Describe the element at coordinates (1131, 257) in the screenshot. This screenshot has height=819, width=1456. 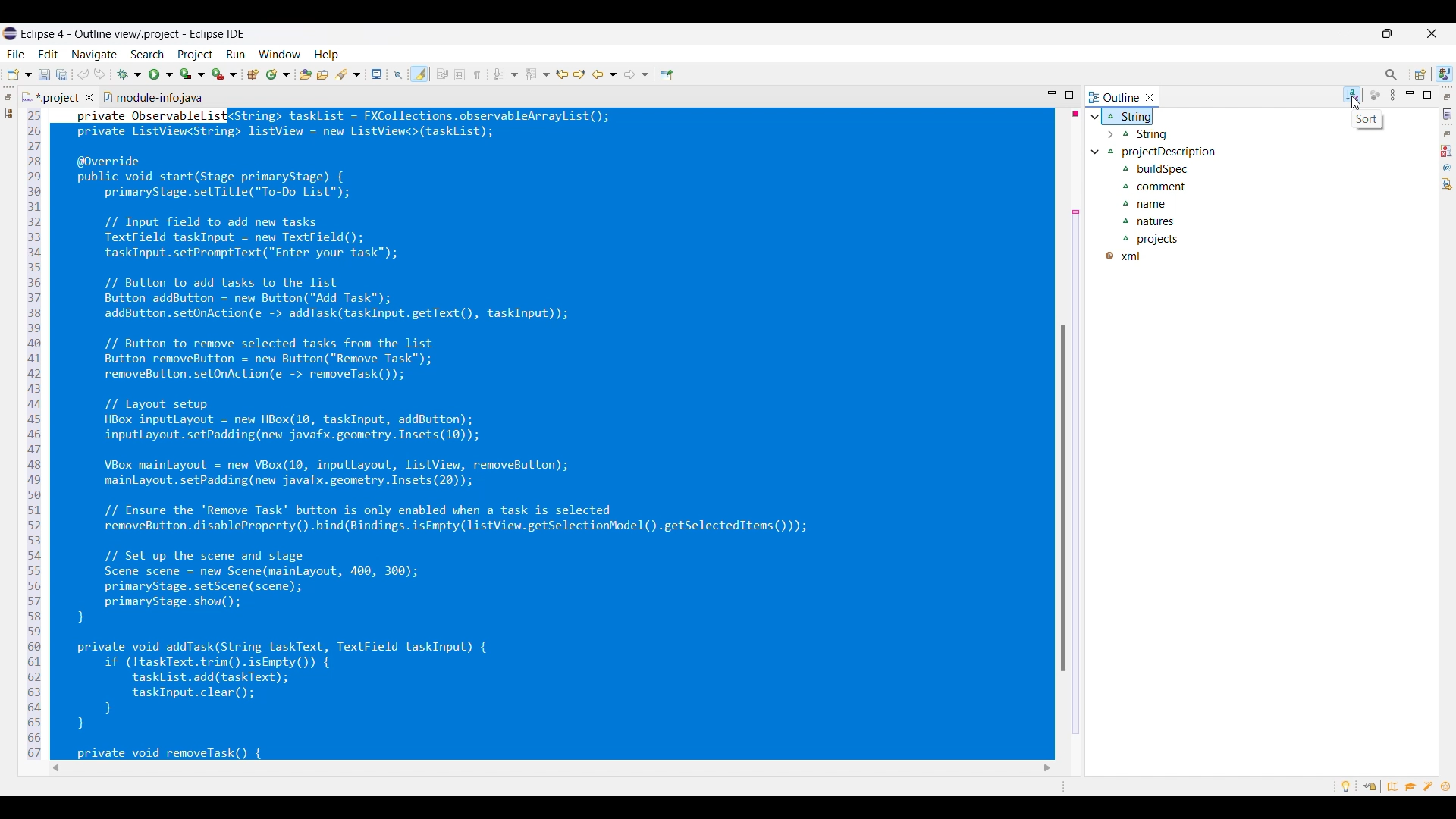
I see `xml` at that location.